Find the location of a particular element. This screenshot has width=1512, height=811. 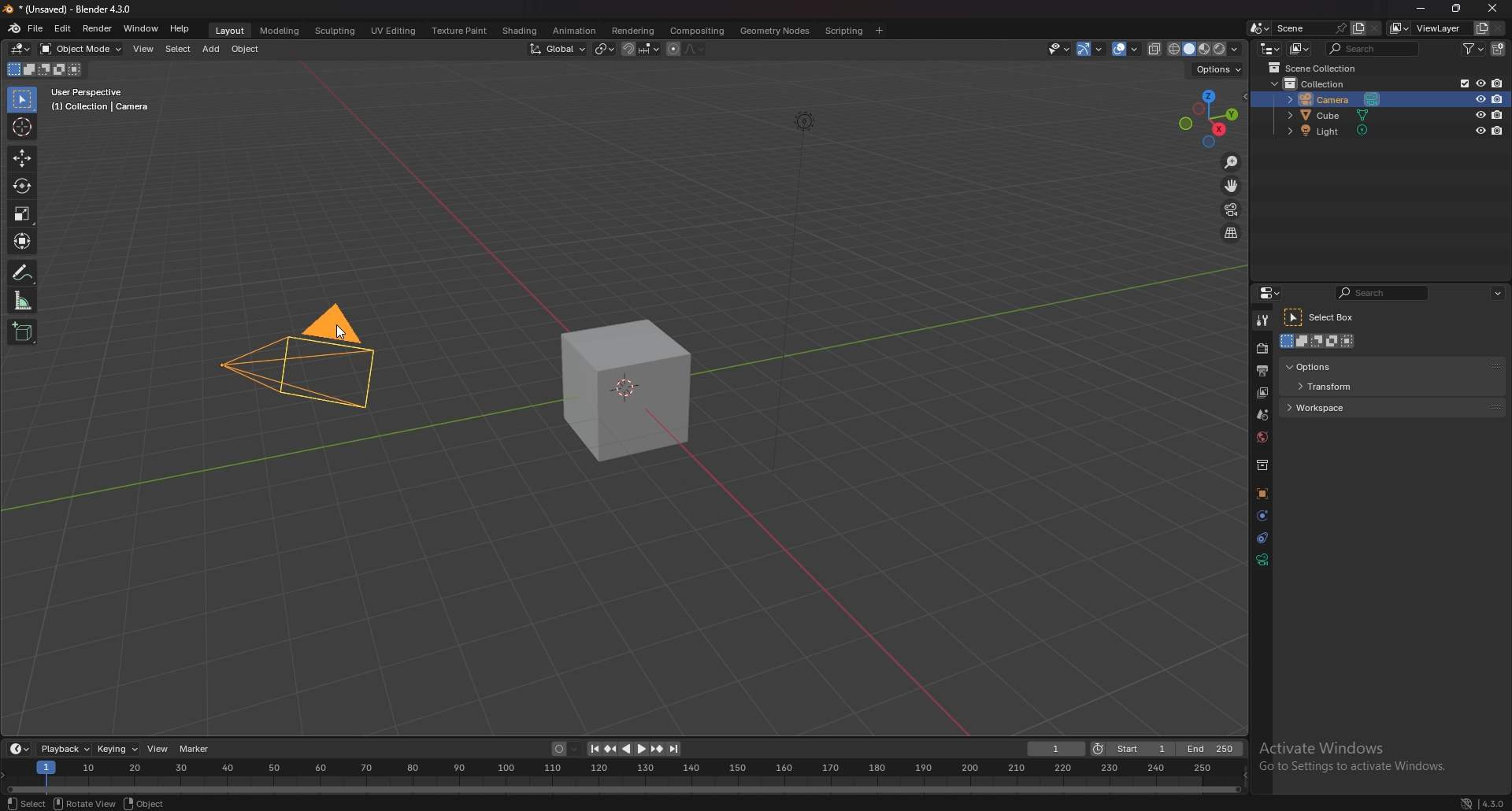

layout is located at coordinates (232, 31).